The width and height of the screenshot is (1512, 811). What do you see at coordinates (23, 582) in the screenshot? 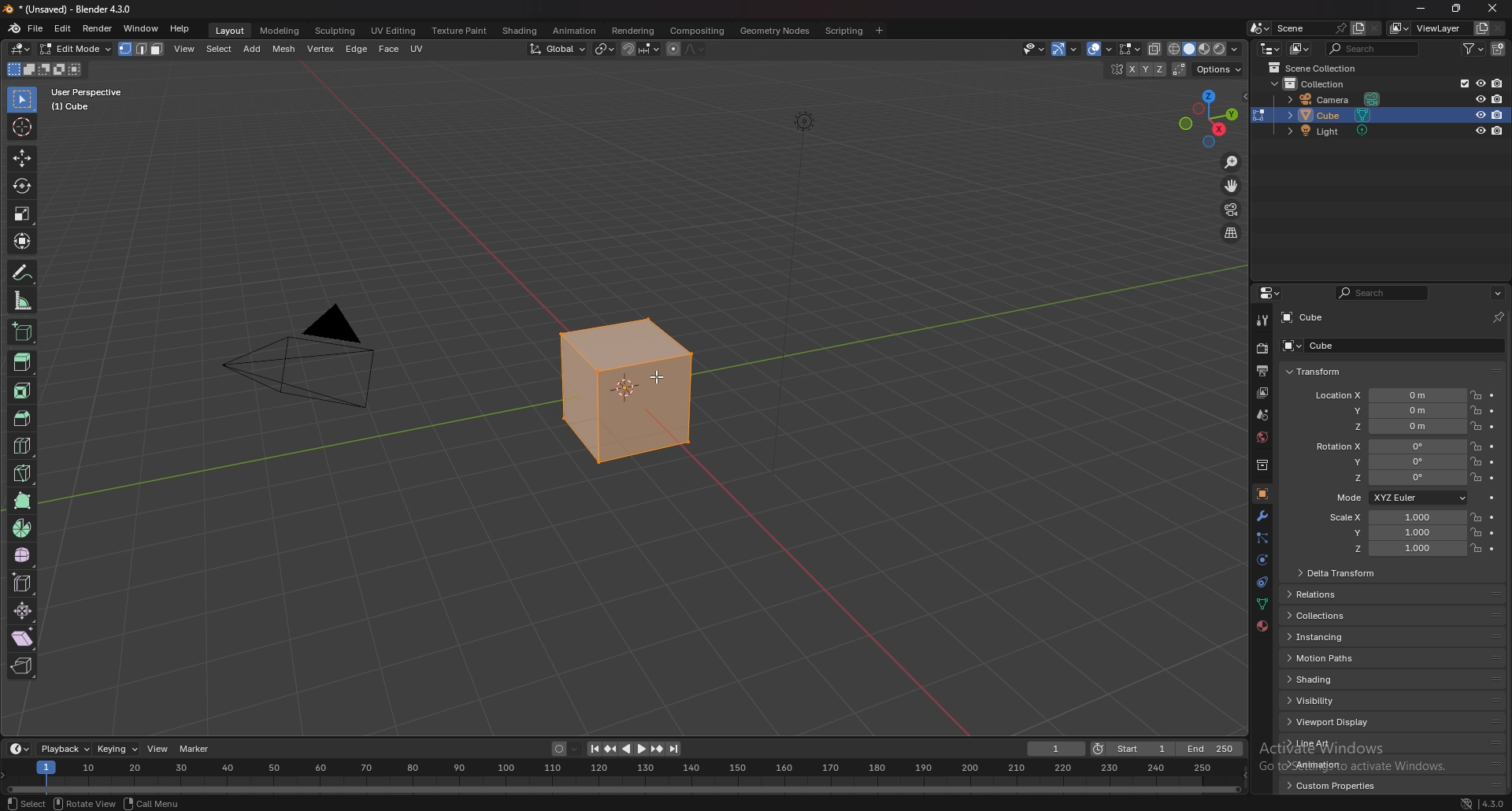
I see `edge slide` at bounding box center [23, 582].